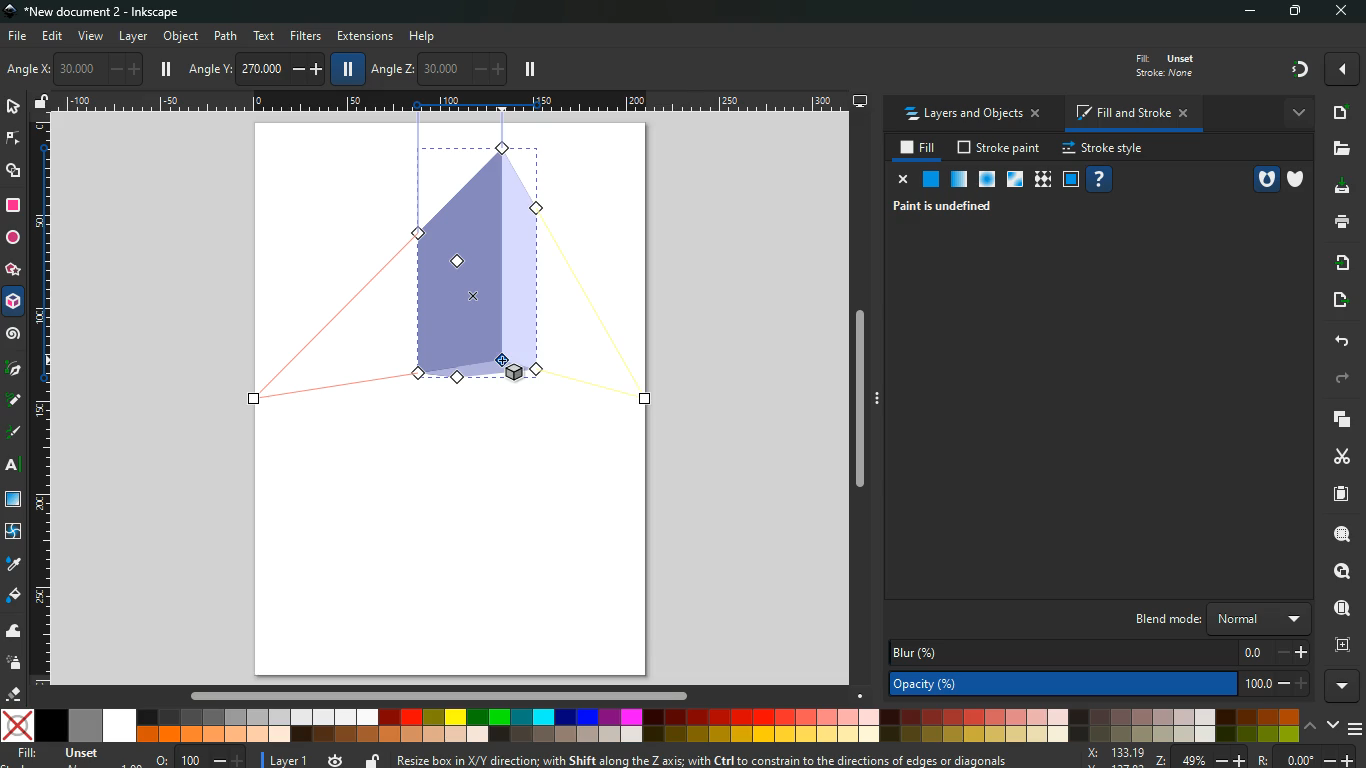 The image size is (1366, 768). Describe the element at coordinates (504, 359) in the screenshot. I see `Cursor` at that location.